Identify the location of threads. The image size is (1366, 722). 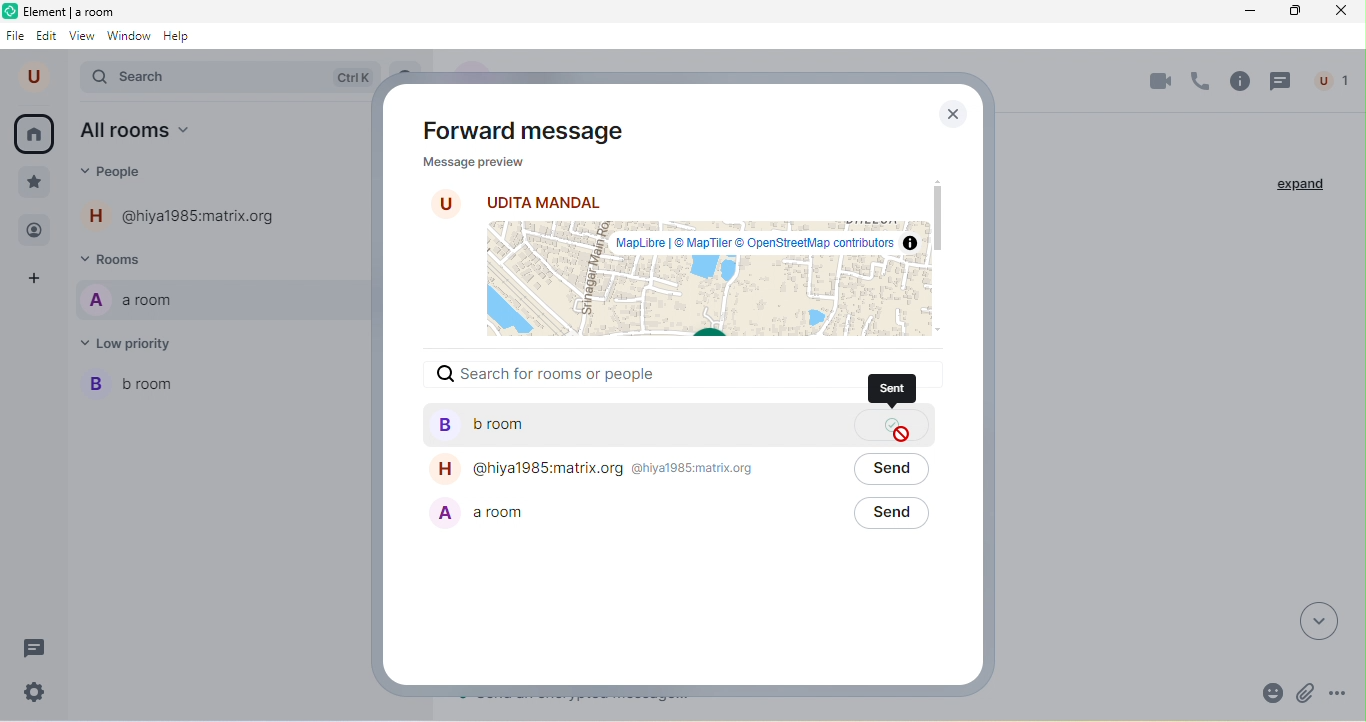
(35, 649).